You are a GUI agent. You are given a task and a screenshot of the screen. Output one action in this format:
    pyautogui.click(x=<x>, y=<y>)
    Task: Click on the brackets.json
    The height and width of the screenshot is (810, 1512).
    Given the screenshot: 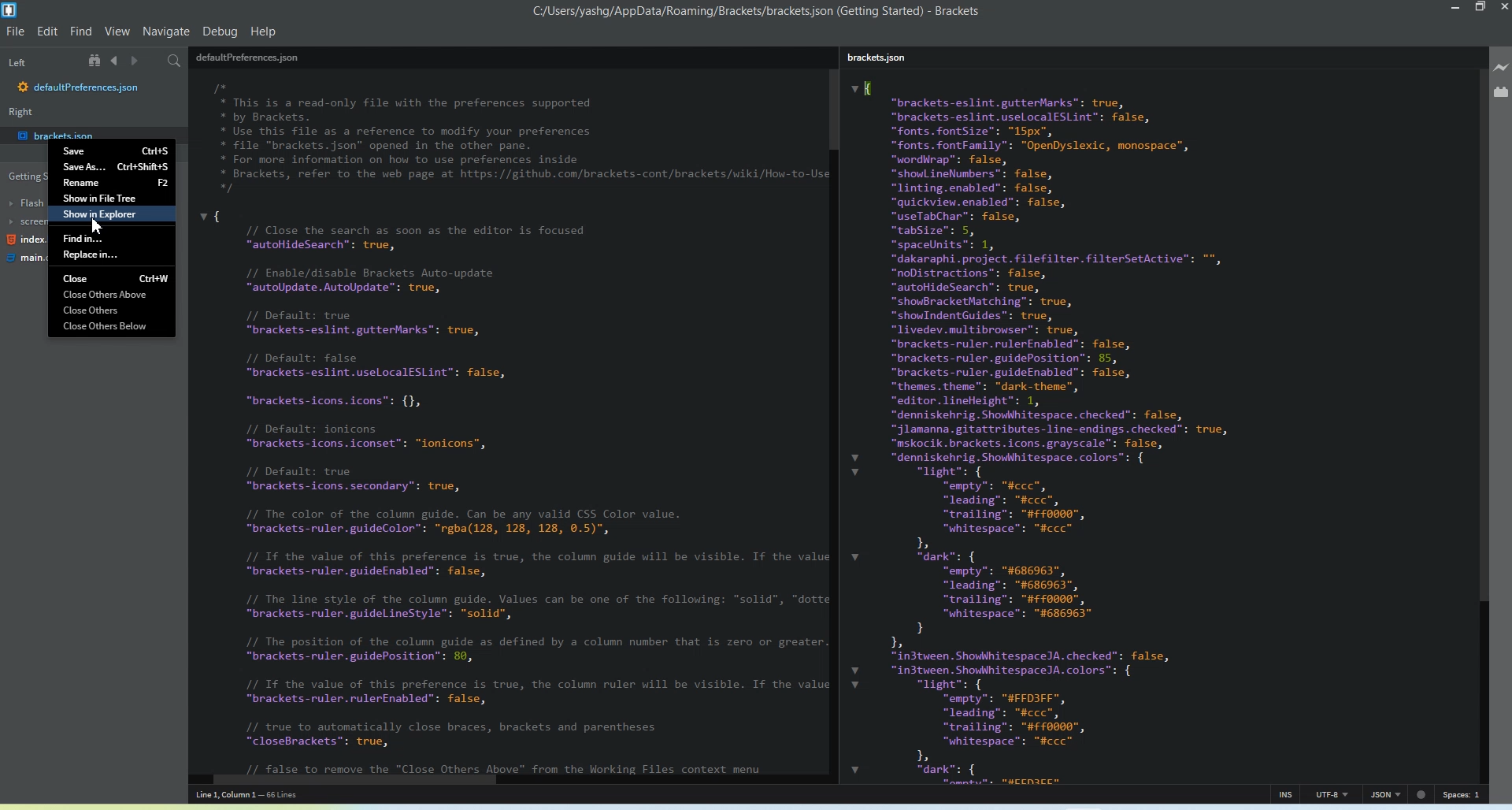 What is the action you would take?
    pyautogui.click(x=880, y=58)
    